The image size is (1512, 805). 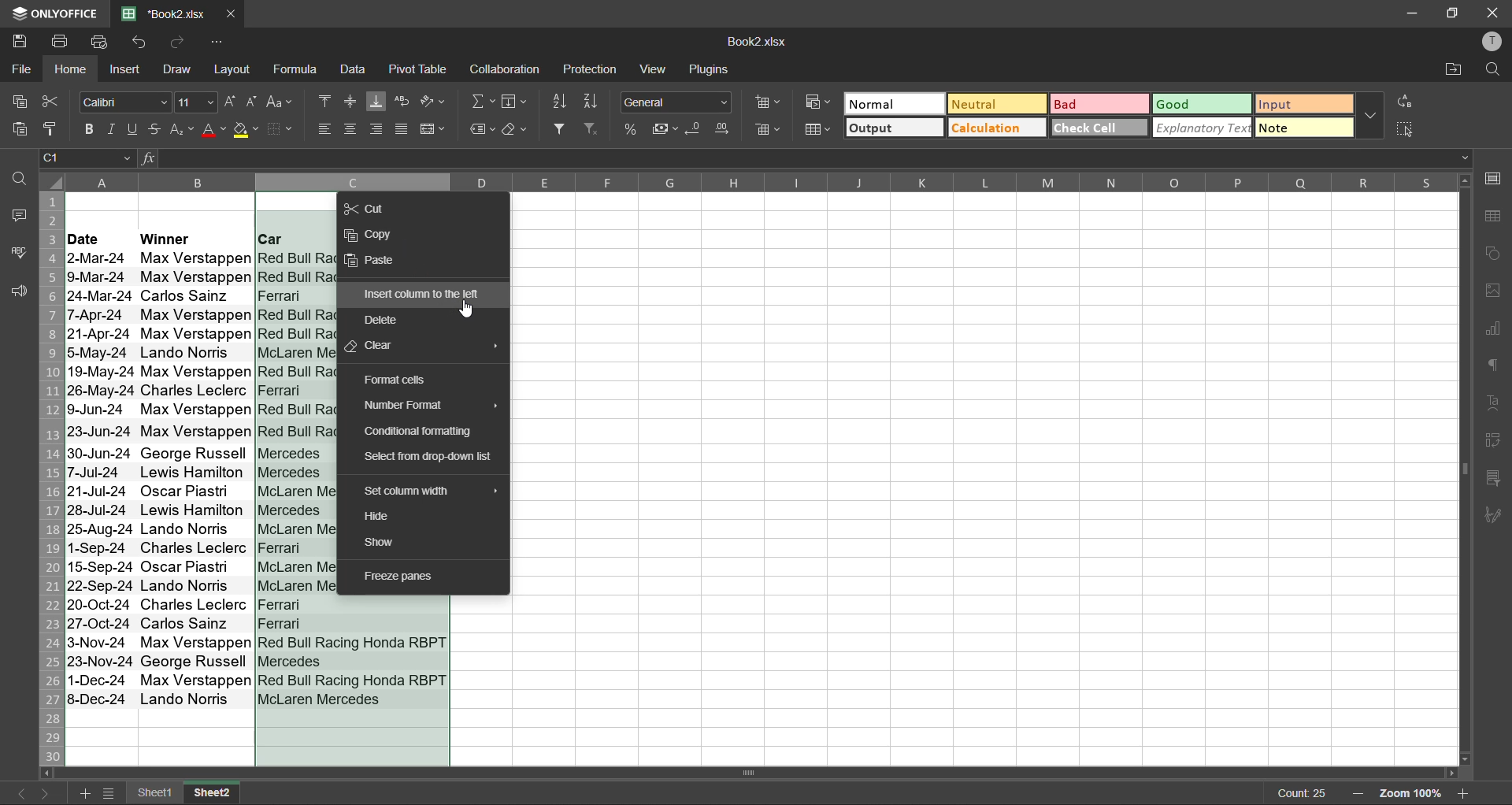 What do you see at coordinates (1491, 181) in the screenshot?
I see `cell settings` at bounding box center [1491, 181].